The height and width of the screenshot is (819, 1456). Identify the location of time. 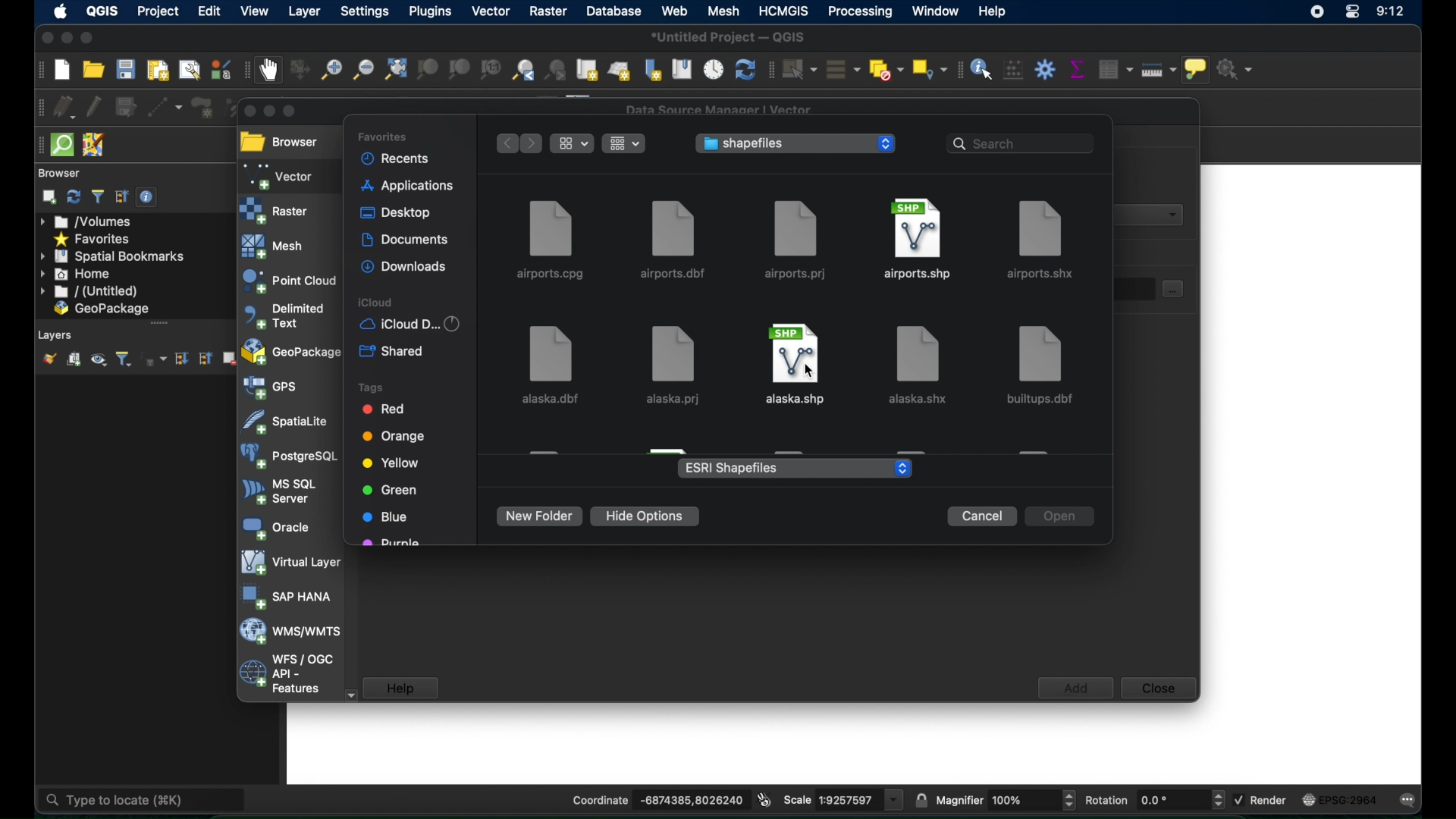
(1392, 12).